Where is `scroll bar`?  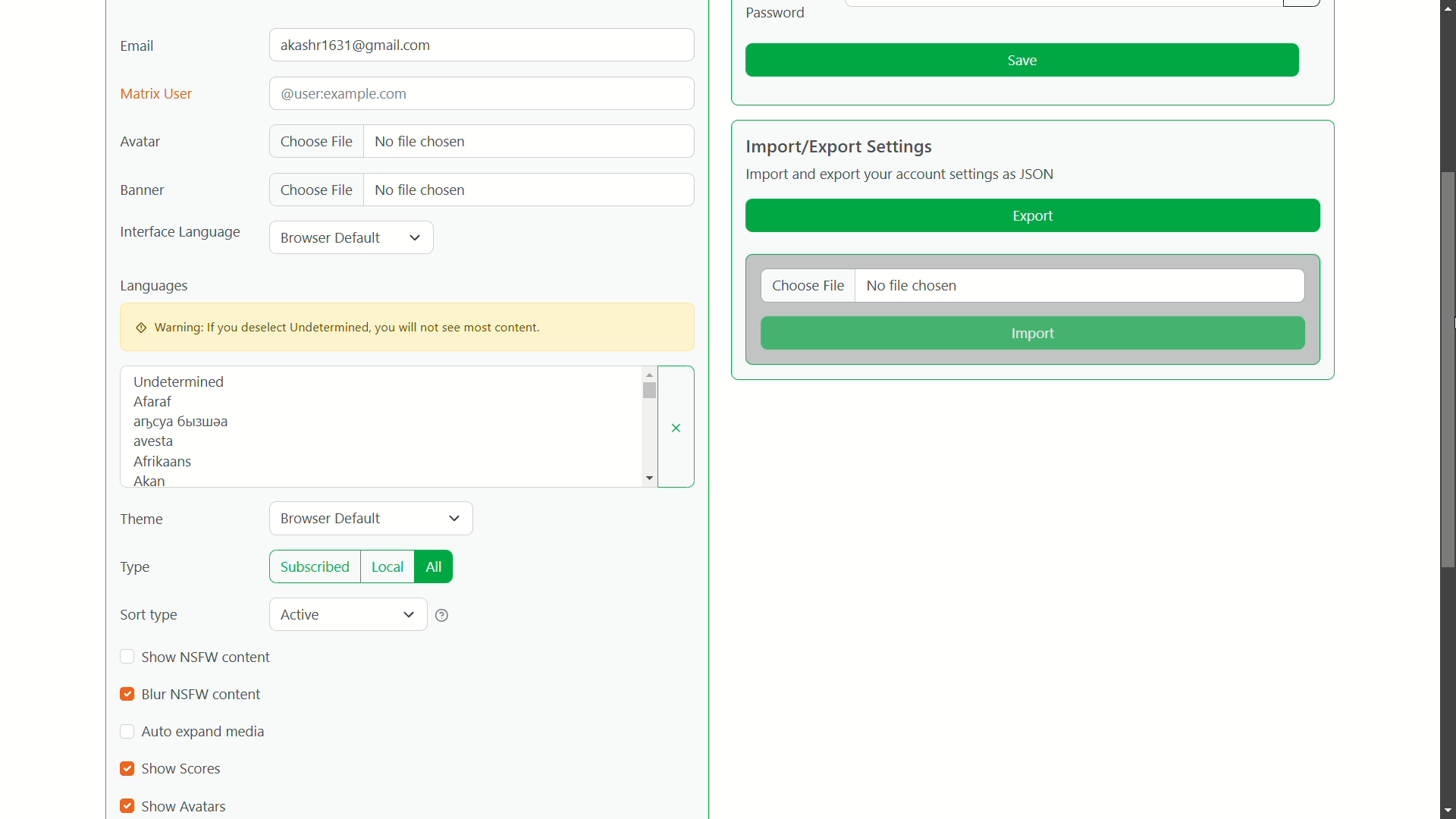
scroll bar is located at coordinates (1442, 94).